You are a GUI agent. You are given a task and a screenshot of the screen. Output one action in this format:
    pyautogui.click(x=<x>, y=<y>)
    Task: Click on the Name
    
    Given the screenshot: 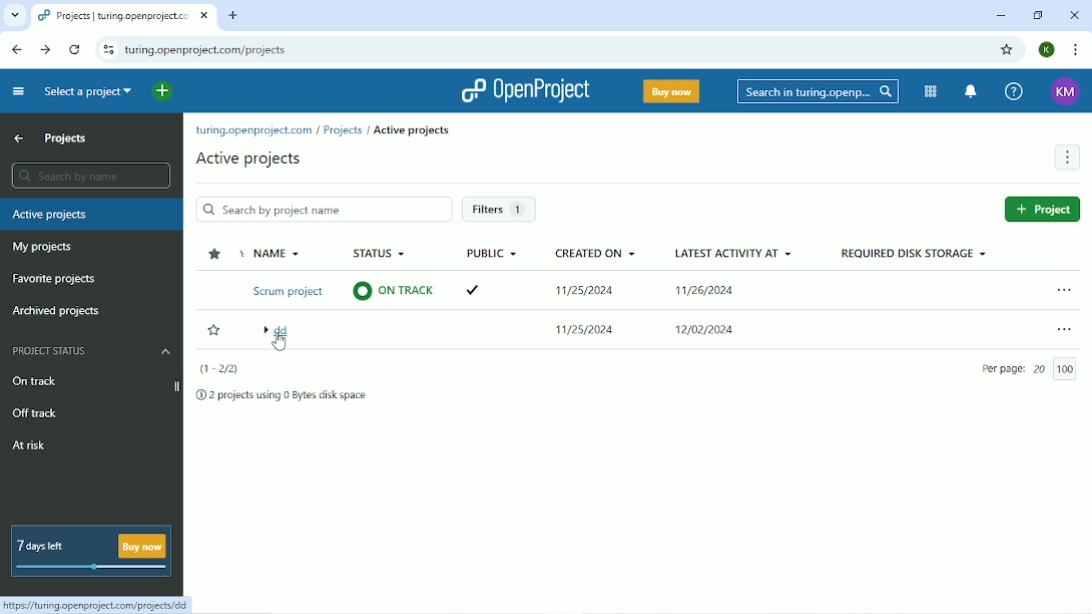 What is the action you would take?
    pyautogui.click(x=285, y=296)
    